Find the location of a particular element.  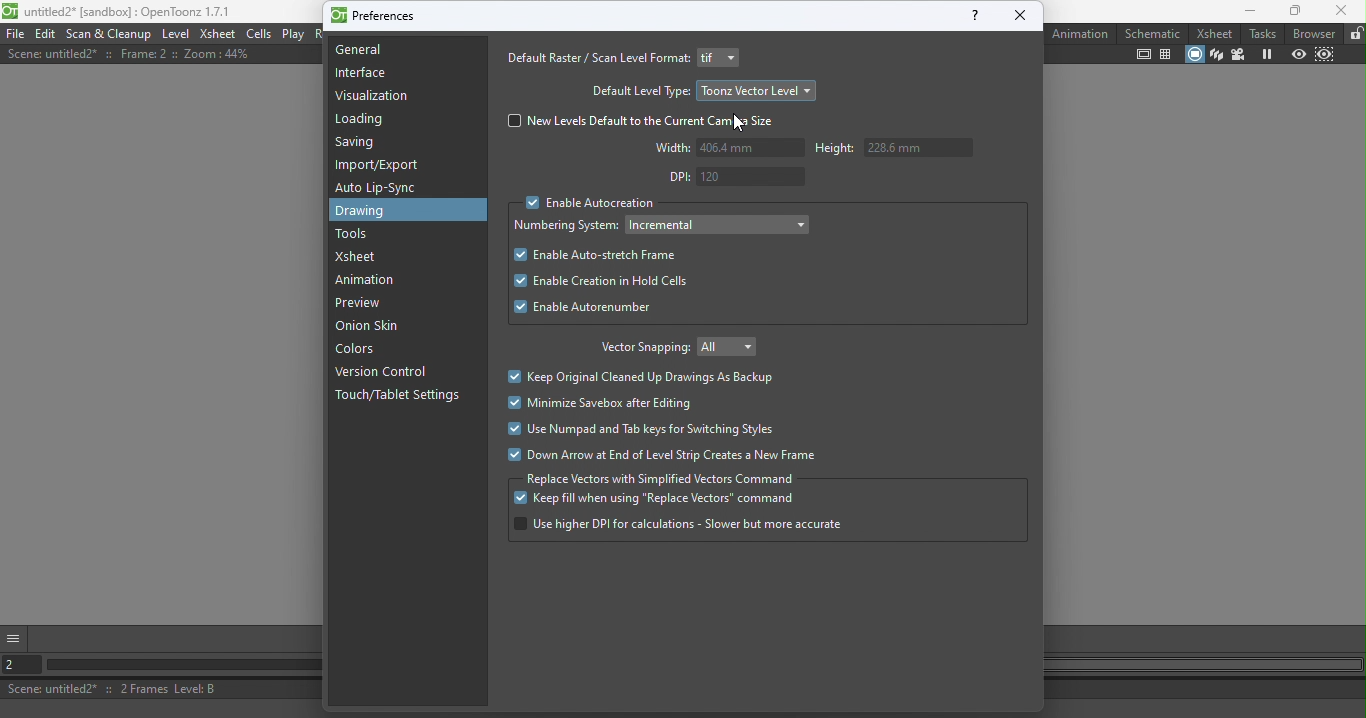

Camera view is located at coordinates (1237, 54).